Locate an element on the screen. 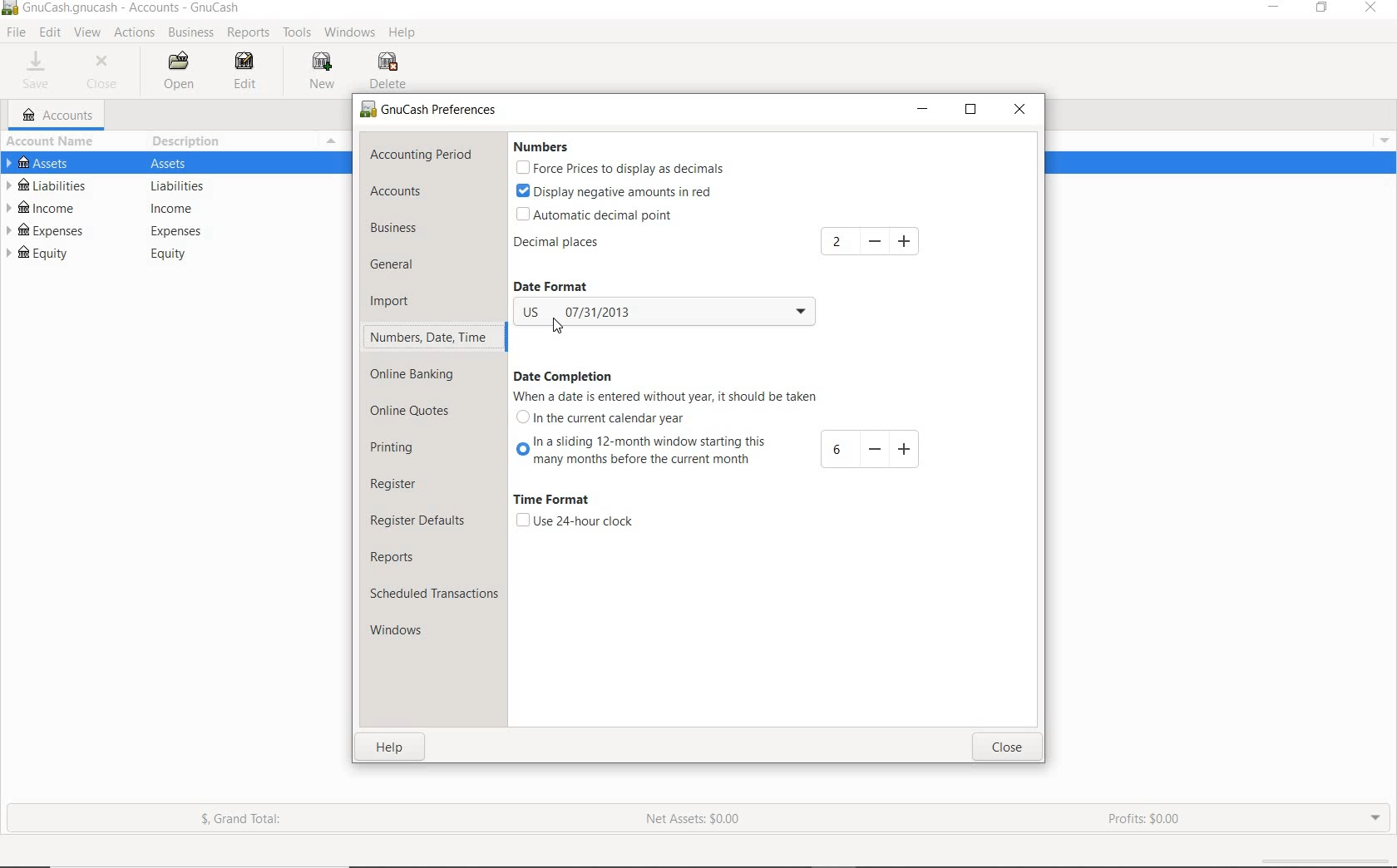 The width and height of the screenshot is (1397, 868). accounts is located at coordinates (417, 193).